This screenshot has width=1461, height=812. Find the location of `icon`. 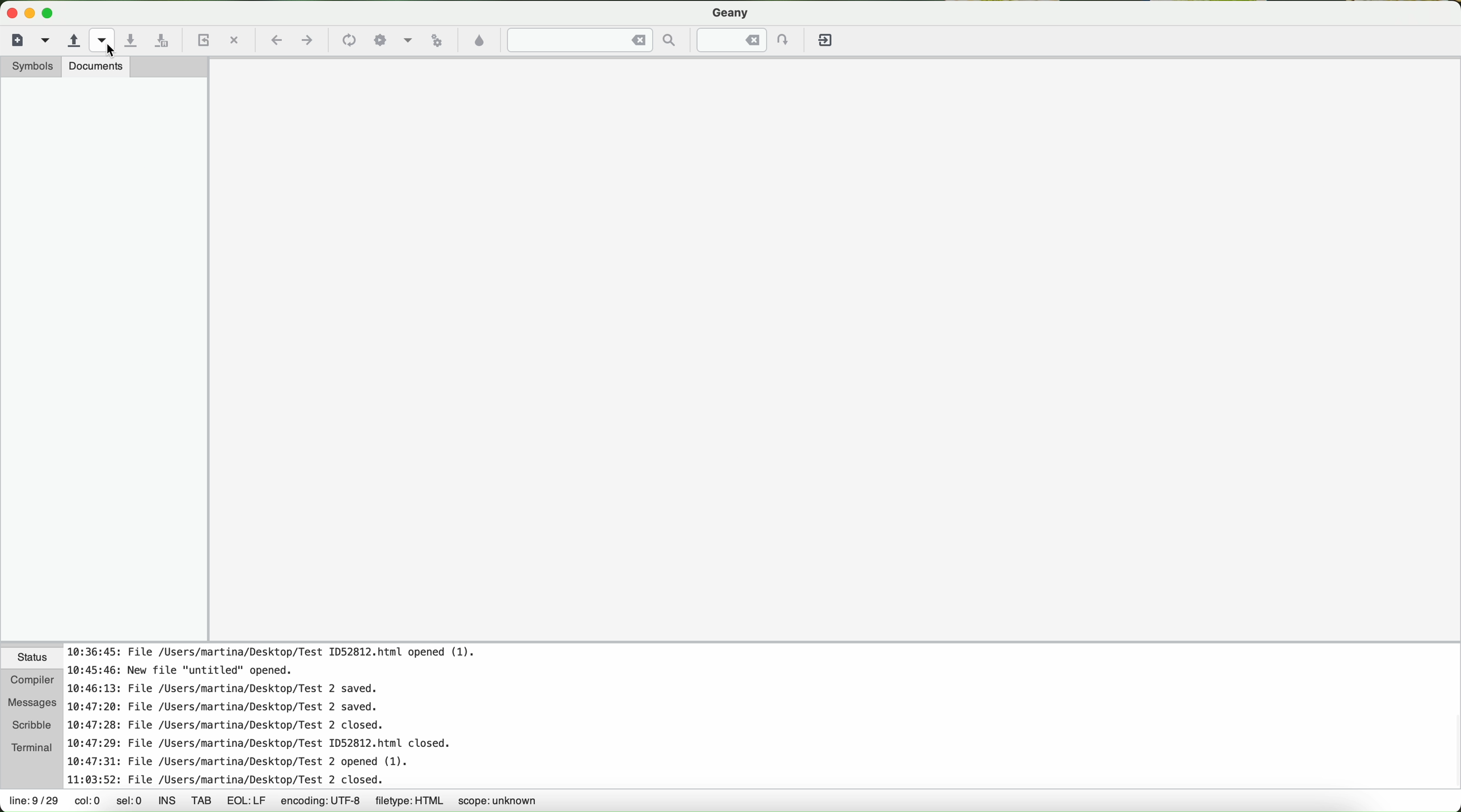

icon is located at coordinates (380, 40).